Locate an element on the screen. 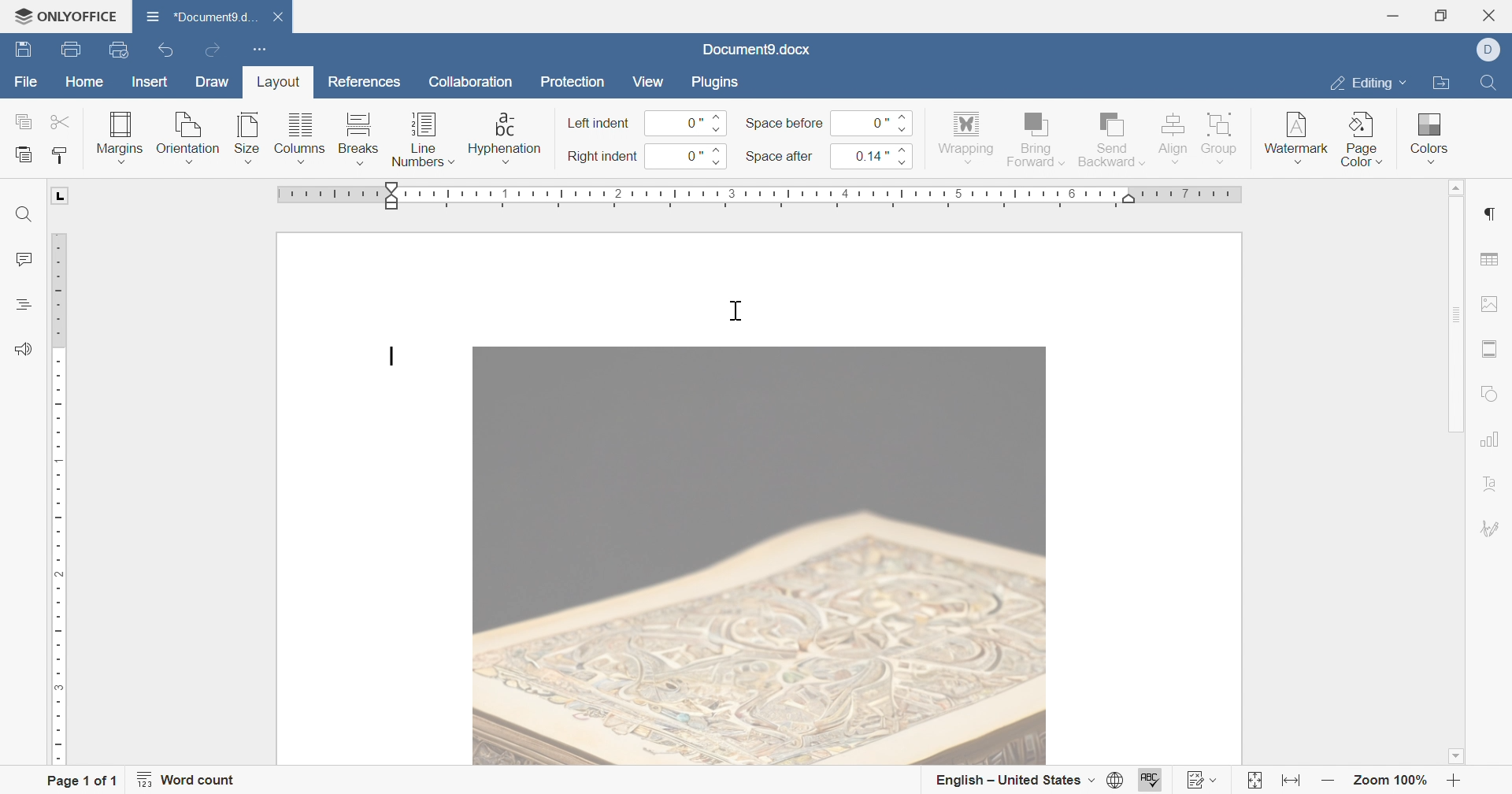 The image size is (1512, 794). align is located at coordinates (1172, 136).